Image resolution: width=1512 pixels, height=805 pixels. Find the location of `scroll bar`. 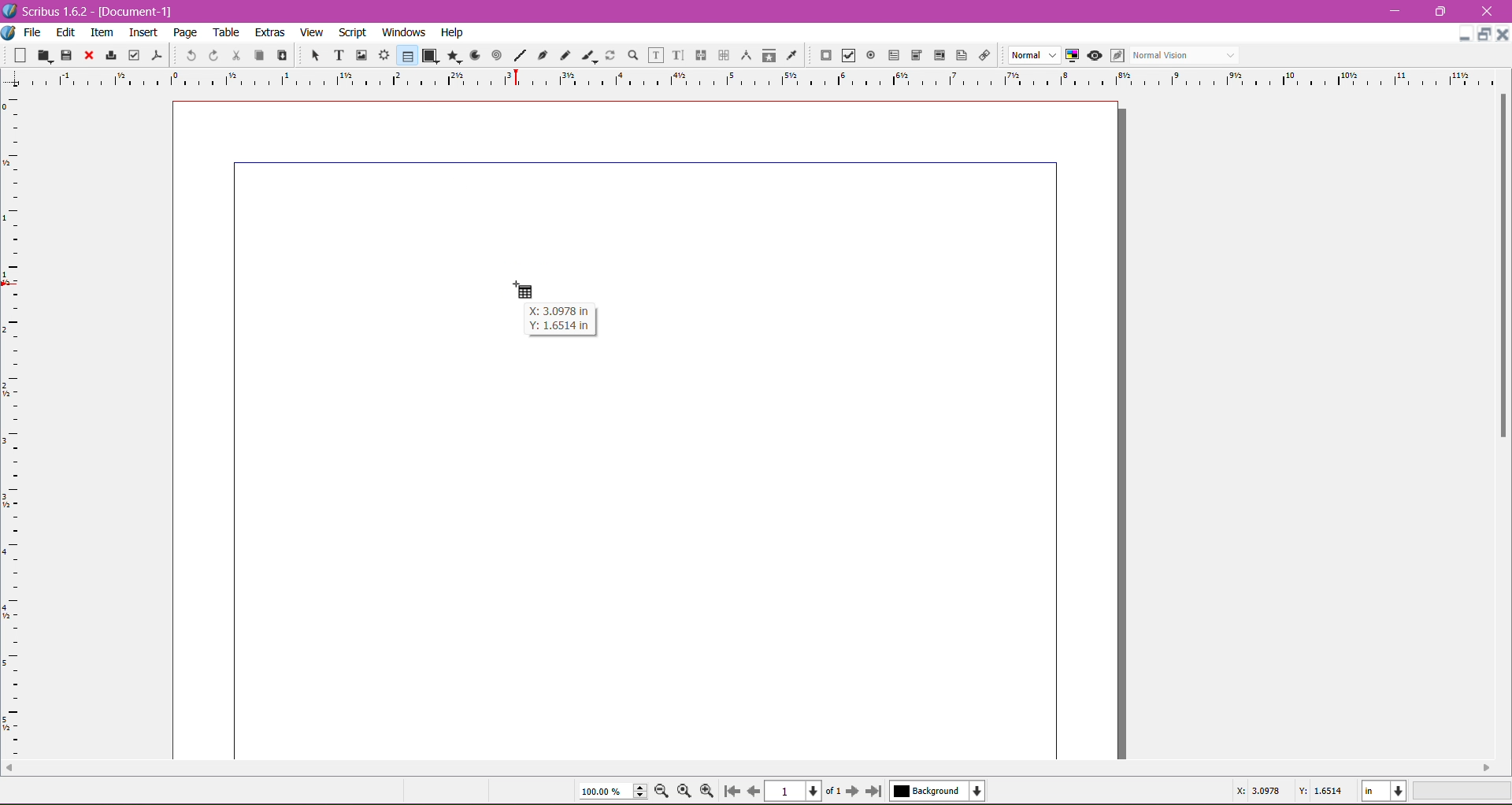

scroll bar is located at coordinates (747, 770).